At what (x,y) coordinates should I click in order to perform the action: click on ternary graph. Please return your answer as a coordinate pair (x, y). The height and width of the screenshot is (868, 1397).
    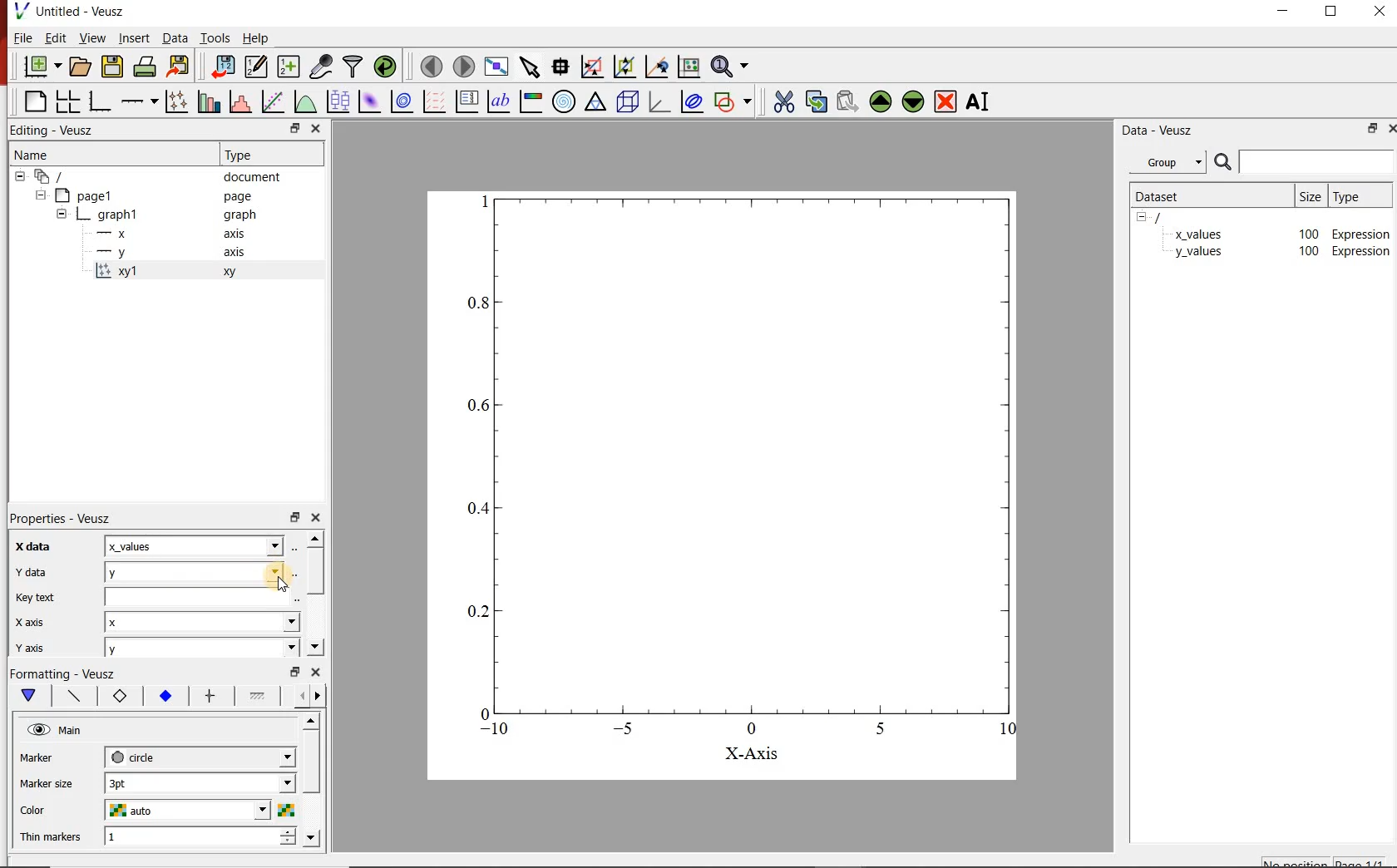
    Looking at the image, I should click on (597, 104).